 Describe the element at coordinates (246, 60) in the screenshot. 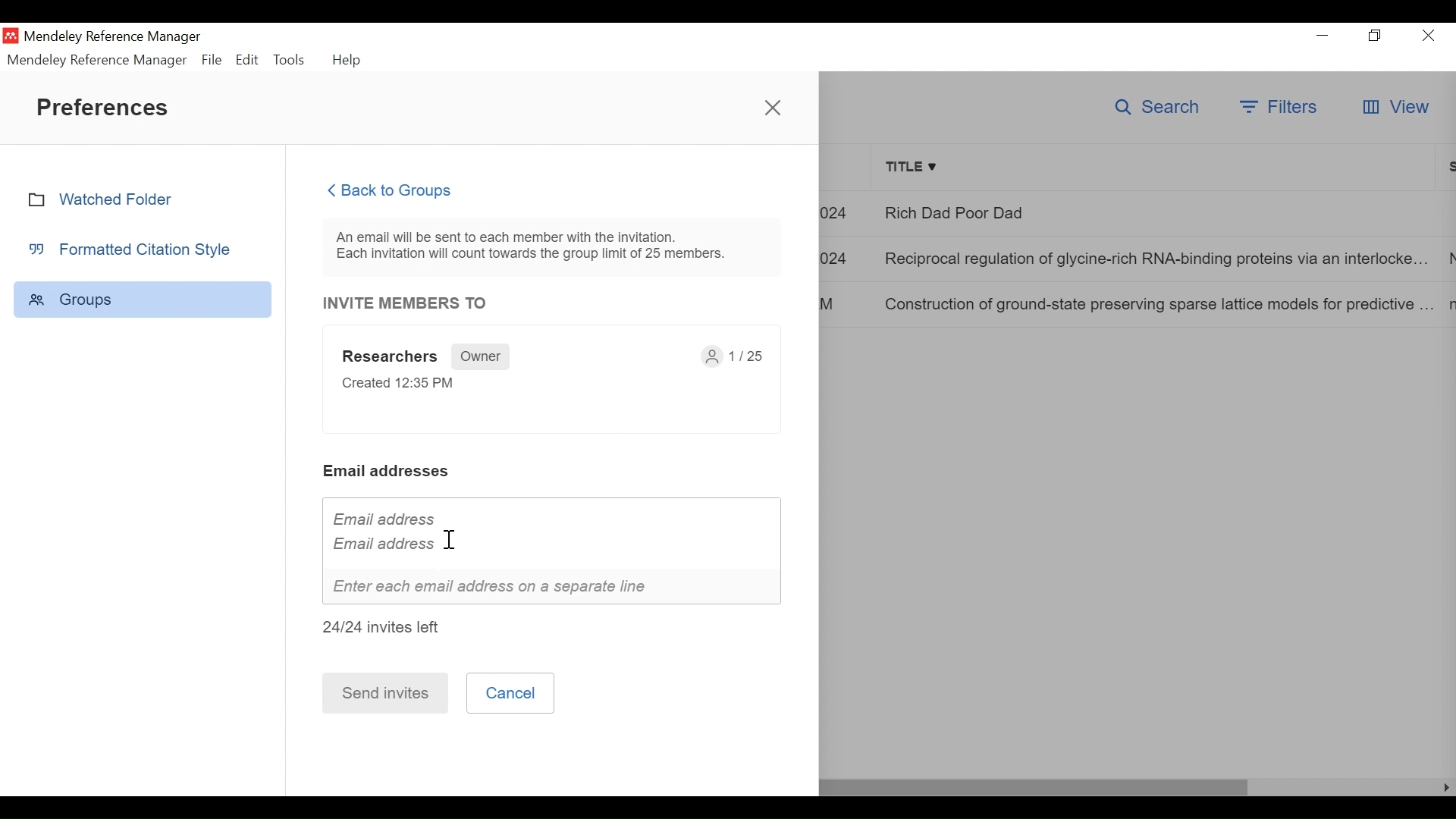

I see `Edit` at that location.